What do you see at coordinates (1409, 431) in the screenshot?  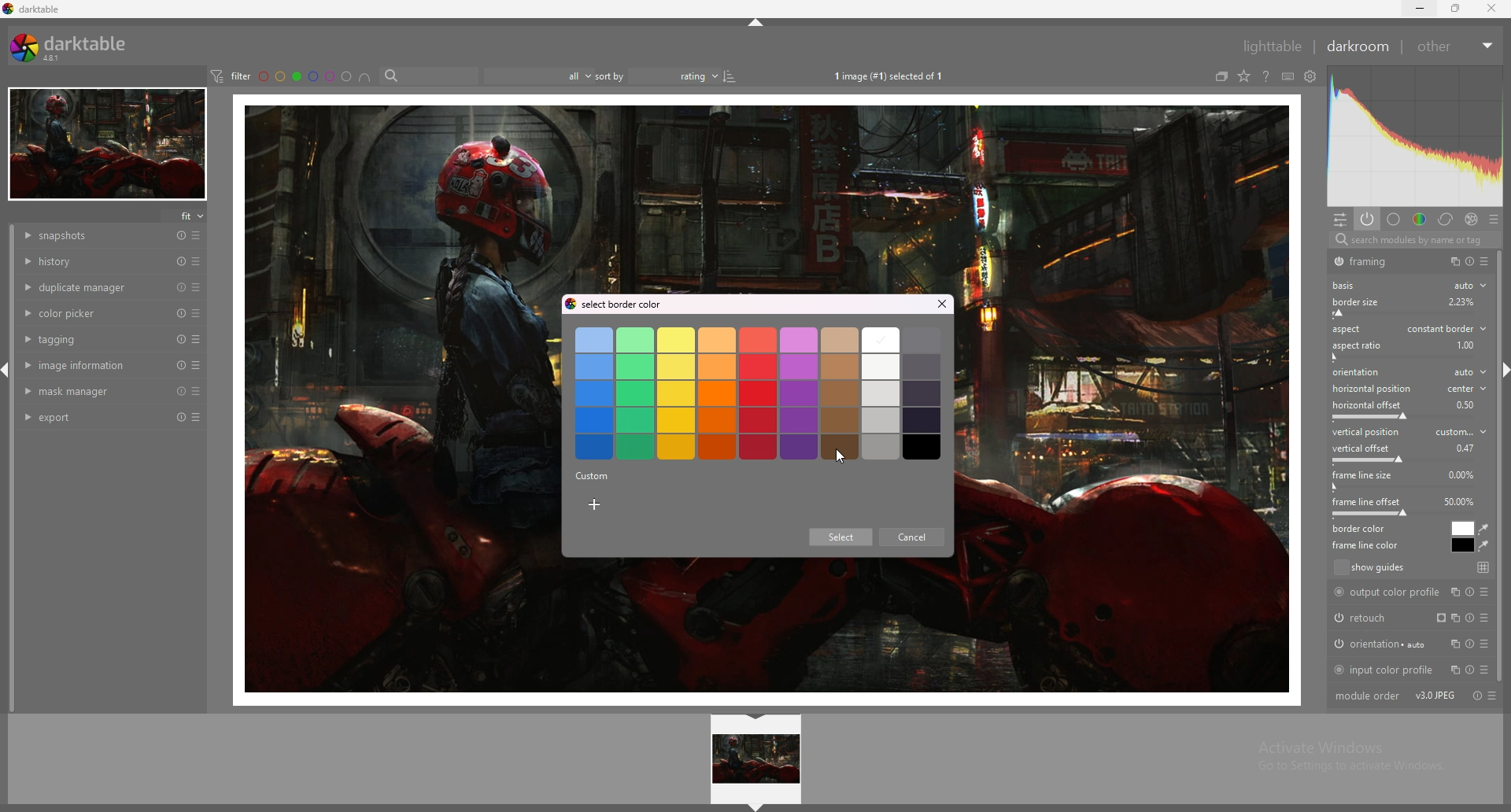 I see `vertical position` at bounding box center [1409, 431].